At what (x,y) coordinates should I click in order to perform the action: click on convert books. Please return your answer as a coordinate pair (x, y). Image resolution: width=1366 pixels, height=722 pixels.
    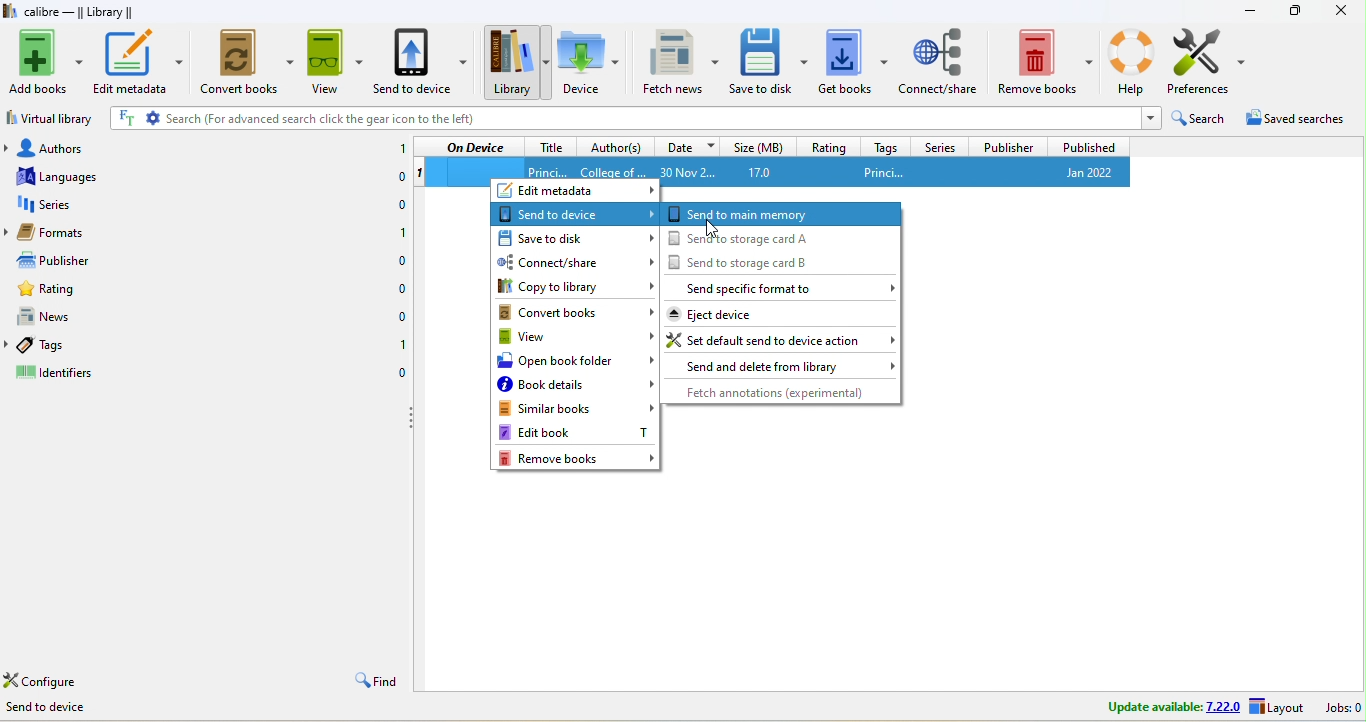
    Looking at the image, I should click on (572, 312).